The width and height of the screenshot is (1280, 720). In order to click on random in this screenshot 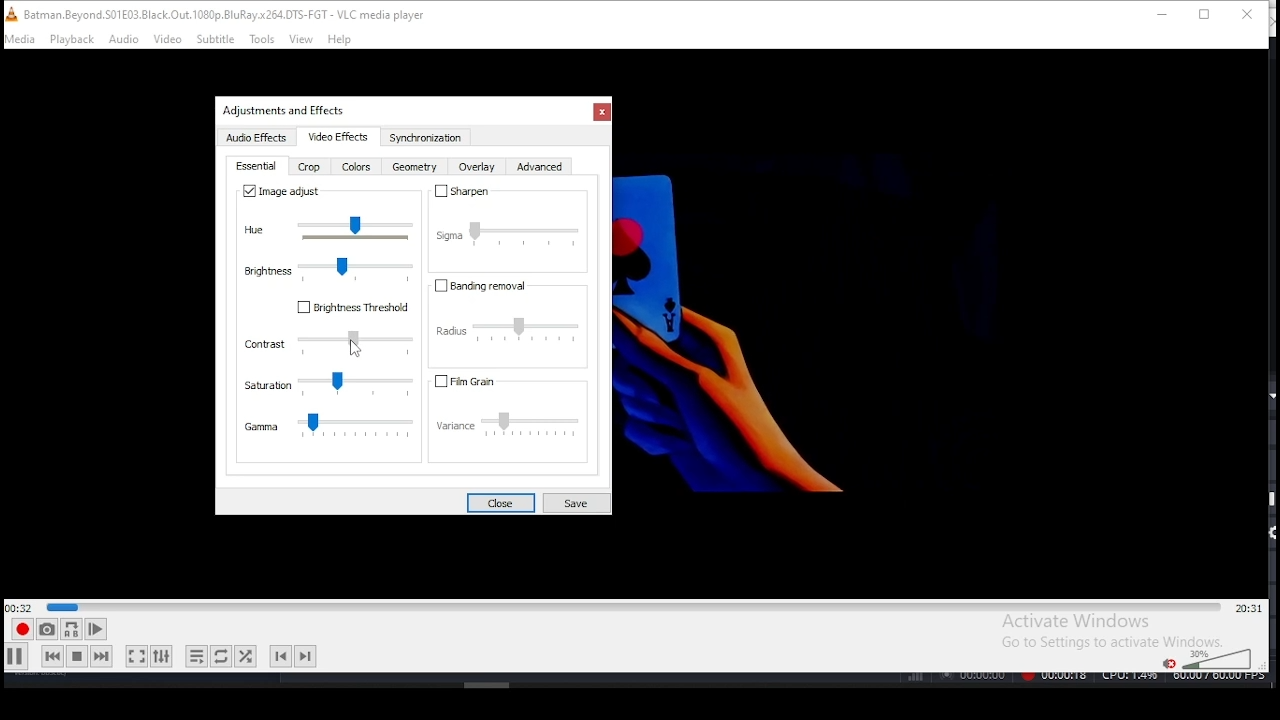, I will do `click(246, 655)`.